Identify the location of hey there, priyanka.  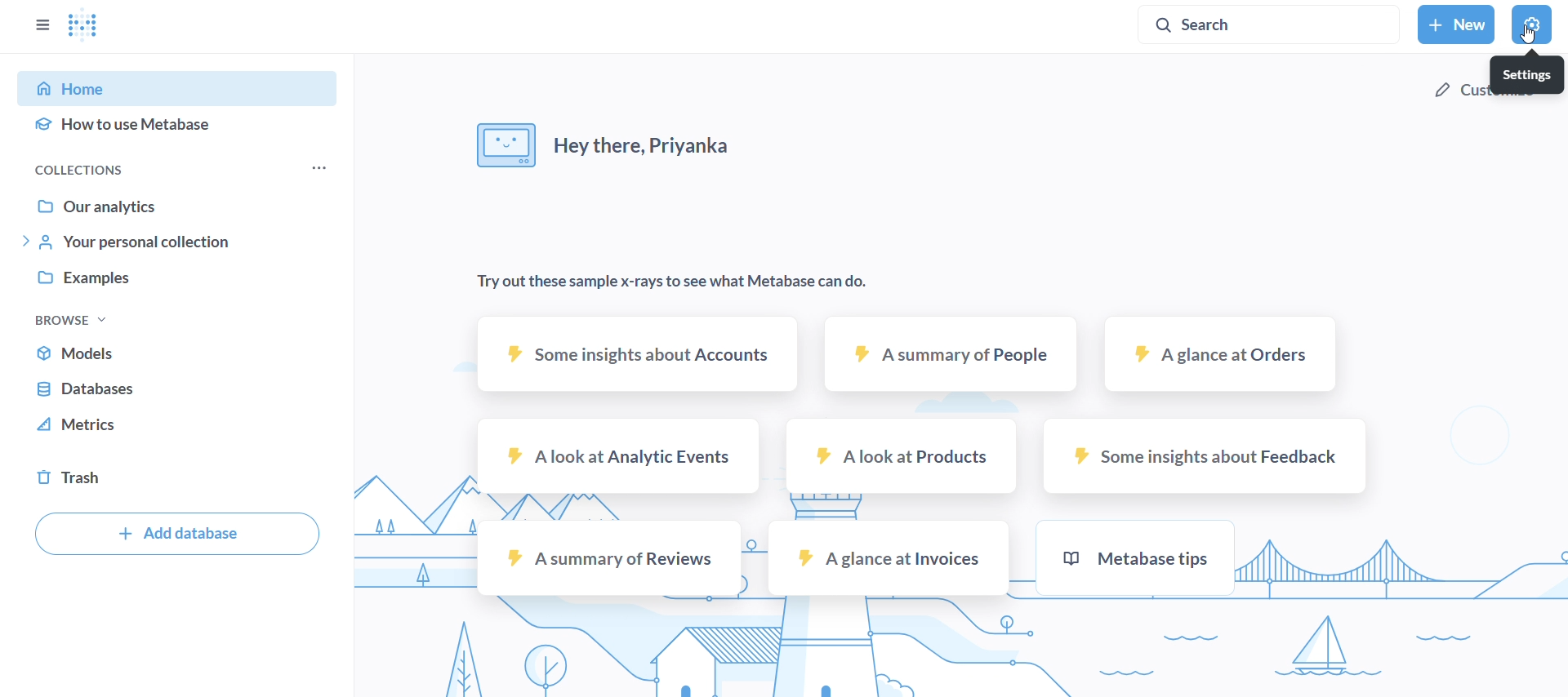
(603, 139).